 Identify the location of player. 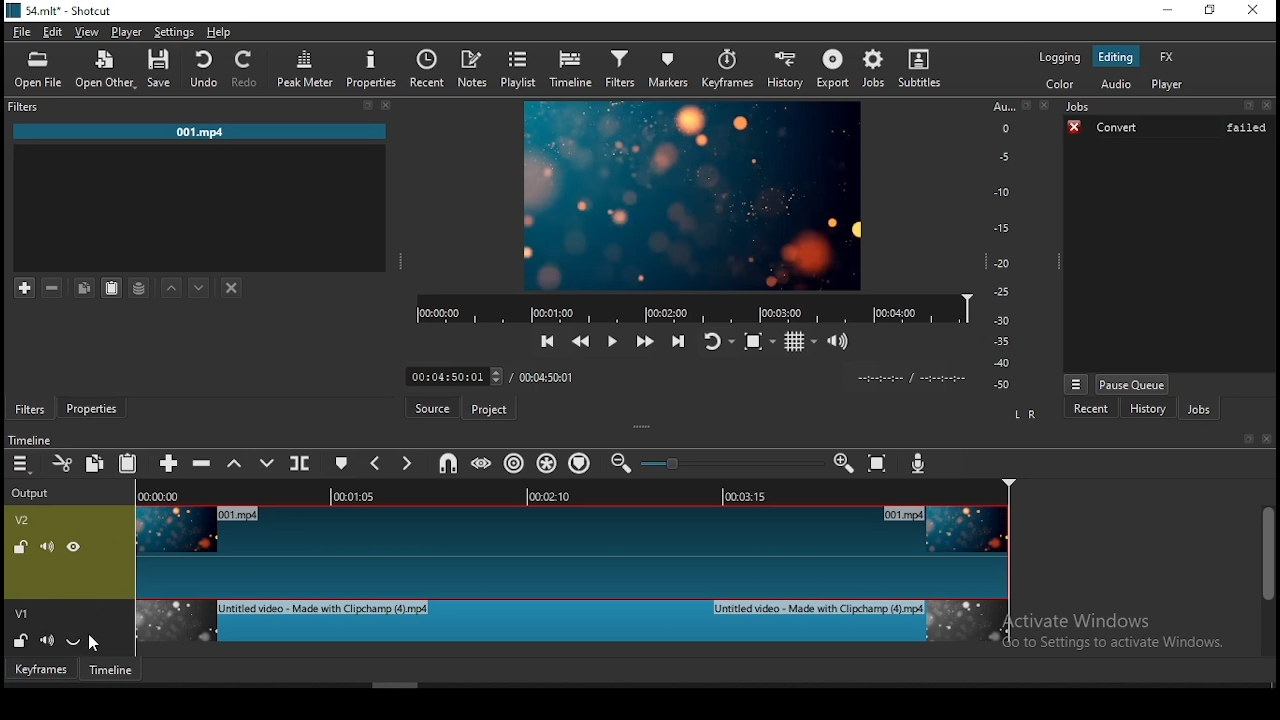
(1167, 83).